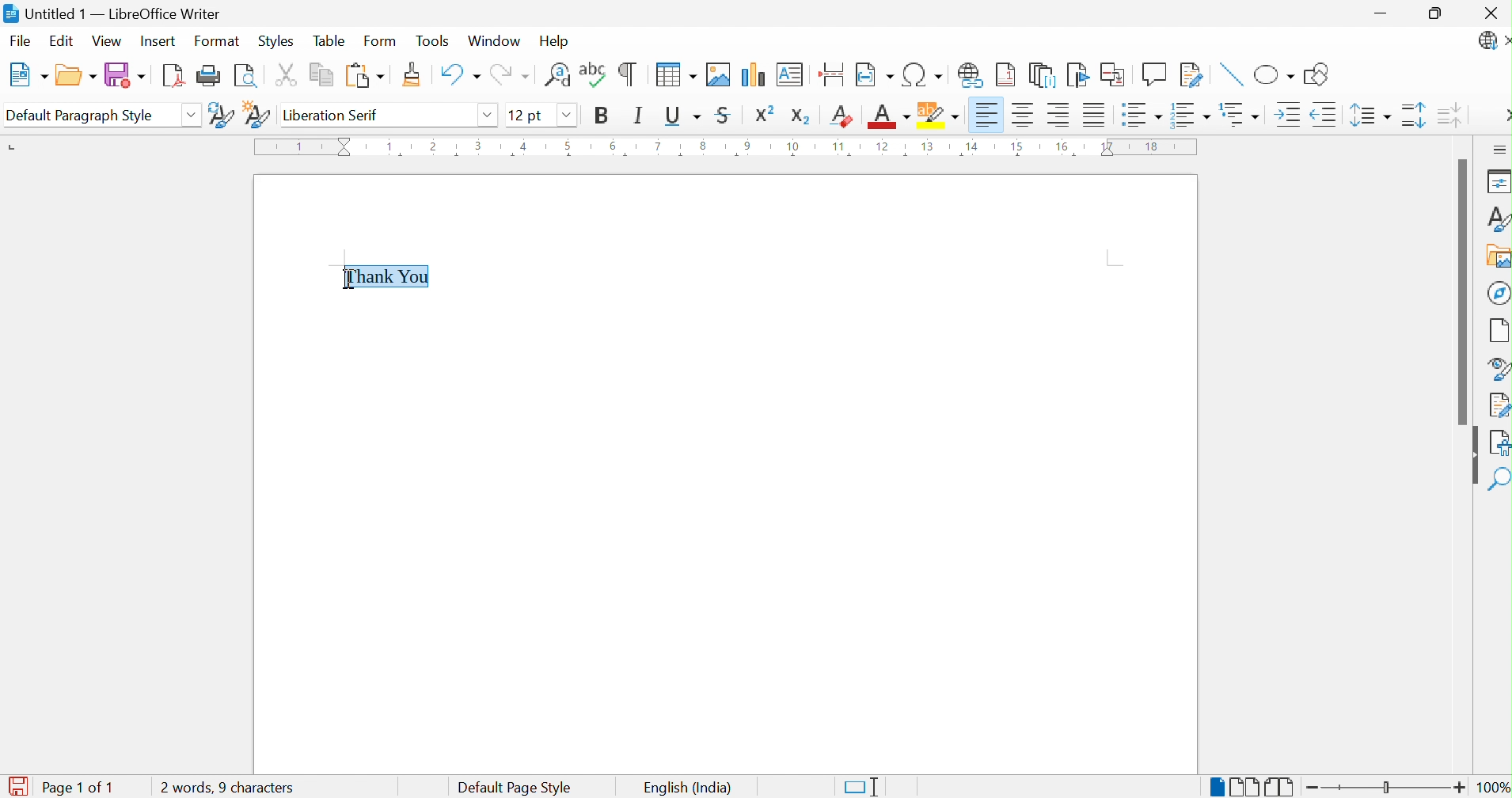 This screenshot has height=798, width=1512. I want to click on Toggle Unordered List, so click(1142, 114).